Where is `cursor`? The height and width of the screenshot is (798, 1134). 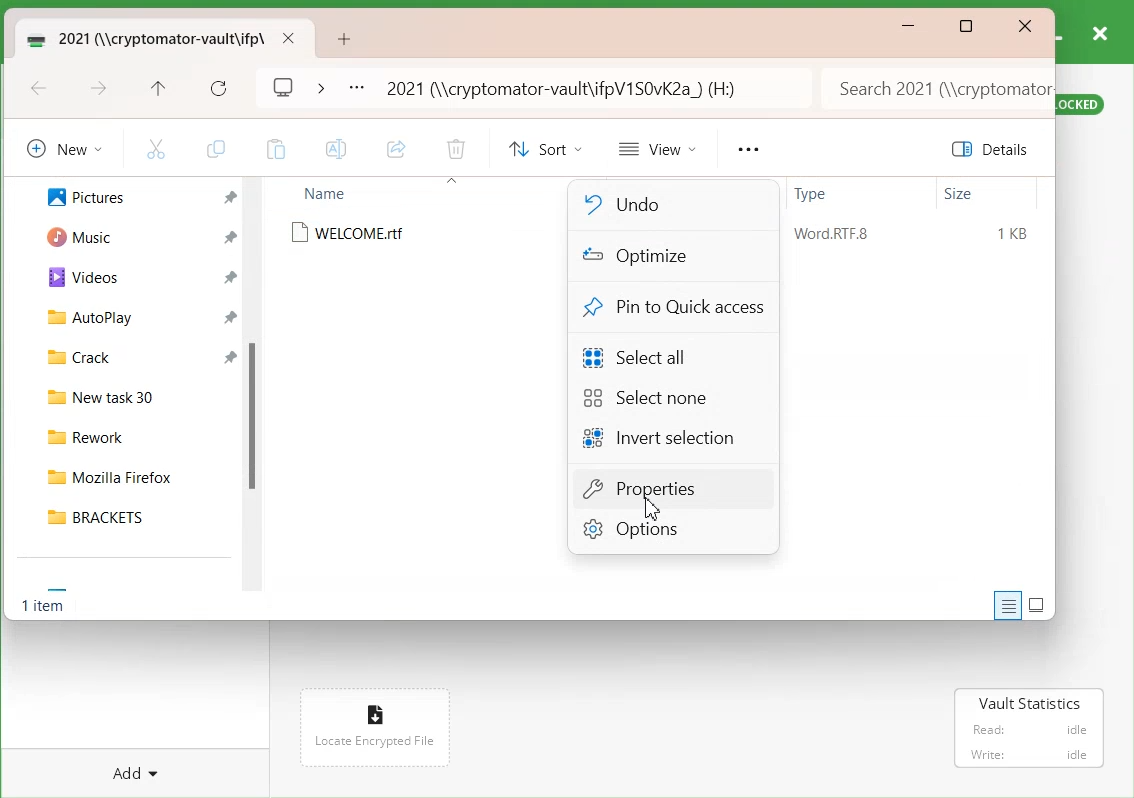
cursor is located at coordinates (651, 510).